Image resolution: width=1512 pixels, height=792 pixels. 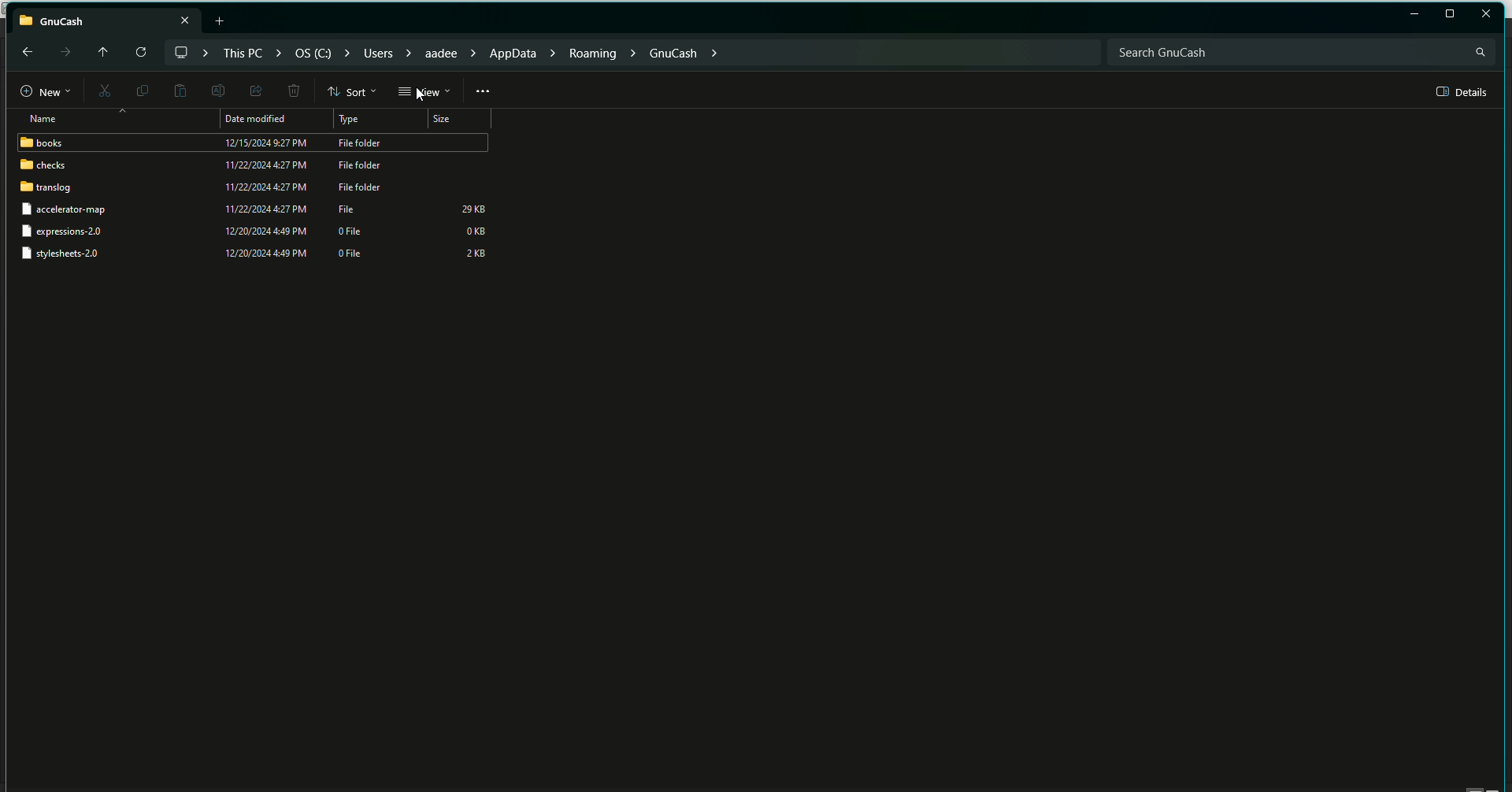 I want to click on books, so click(x=44, y=143).